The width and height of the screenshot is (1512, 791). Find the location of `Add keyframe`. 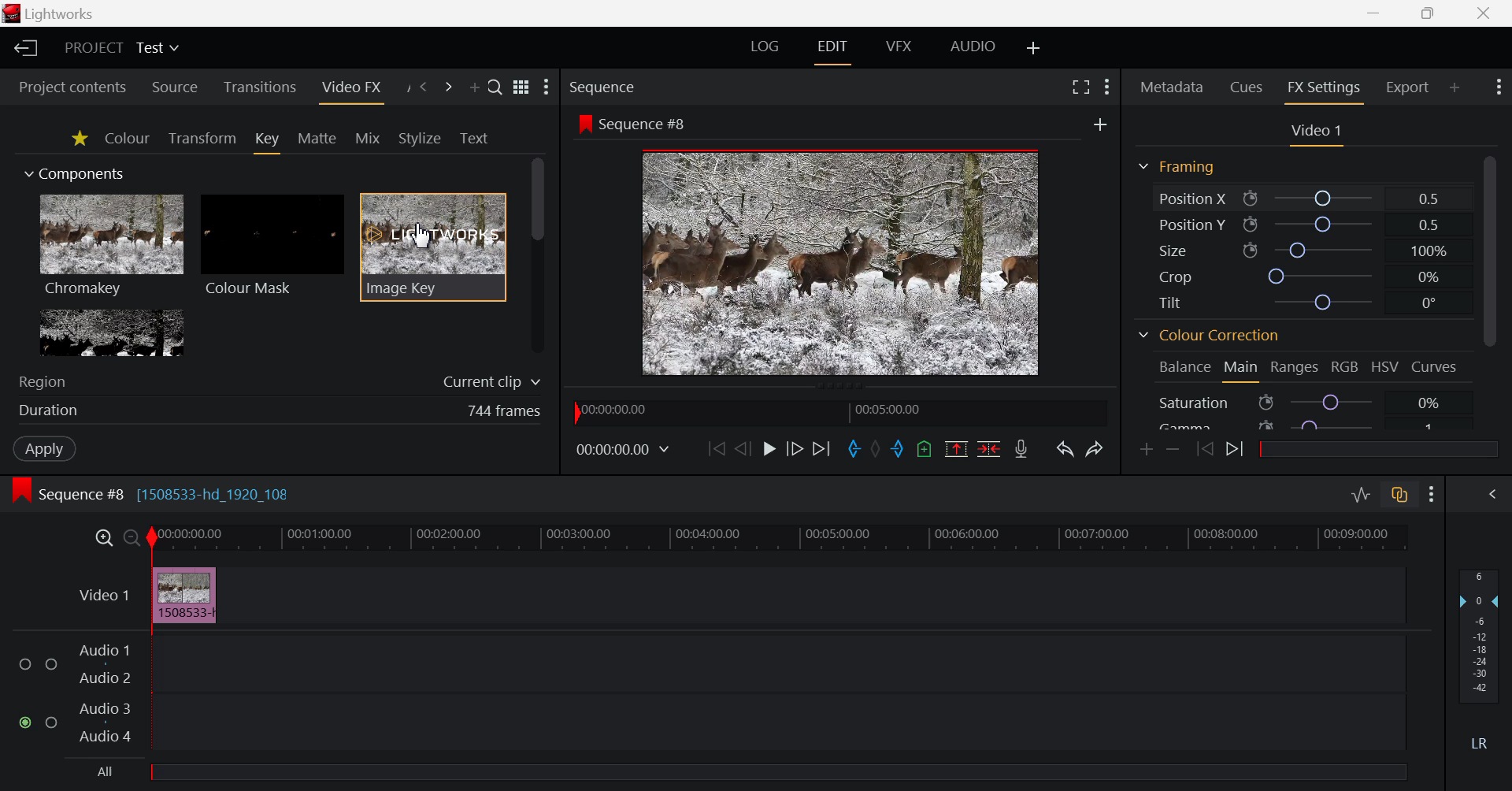

Add keyframe is located at coordinates (1145, 448).